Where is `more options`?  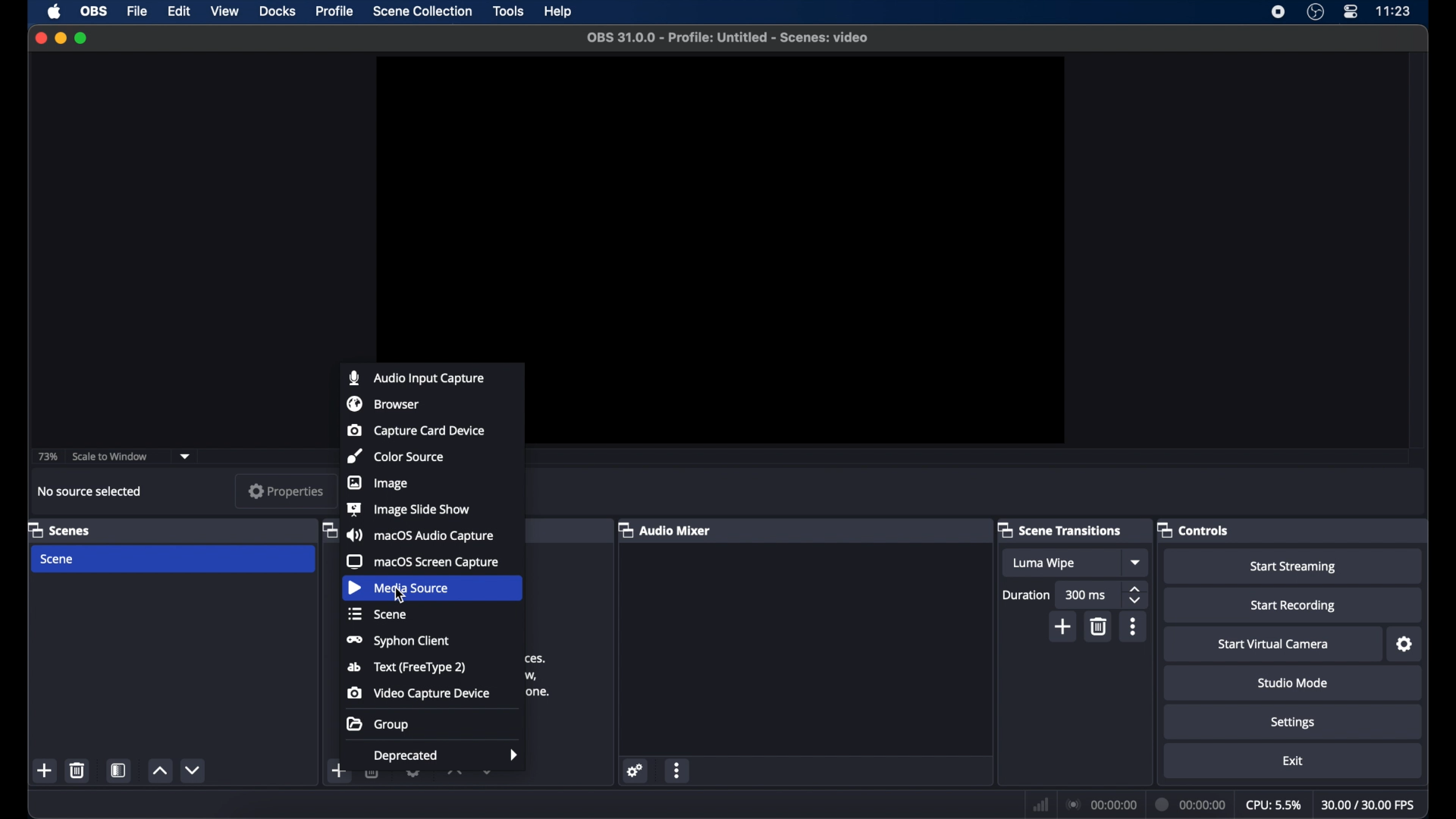
more options is located at coordinates (1133, 626).